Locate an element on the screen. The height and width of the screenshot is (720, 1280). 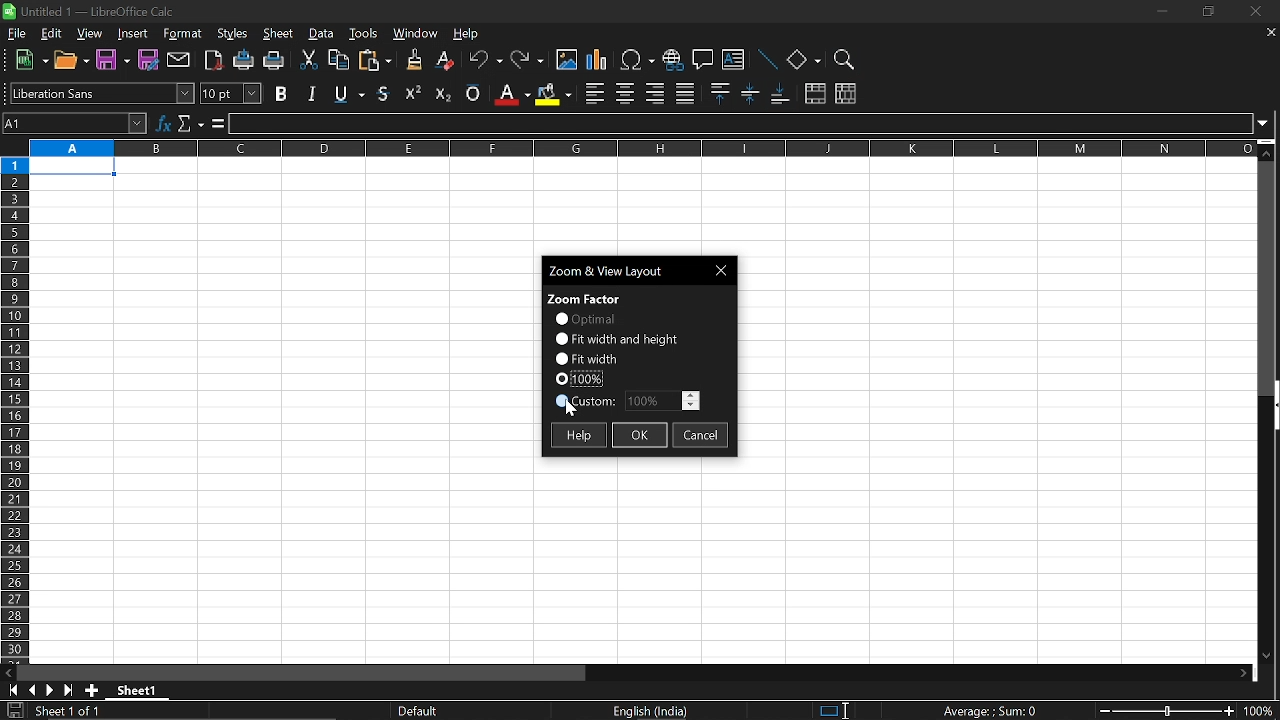
fontcolor is located at coordinates (511, 94).